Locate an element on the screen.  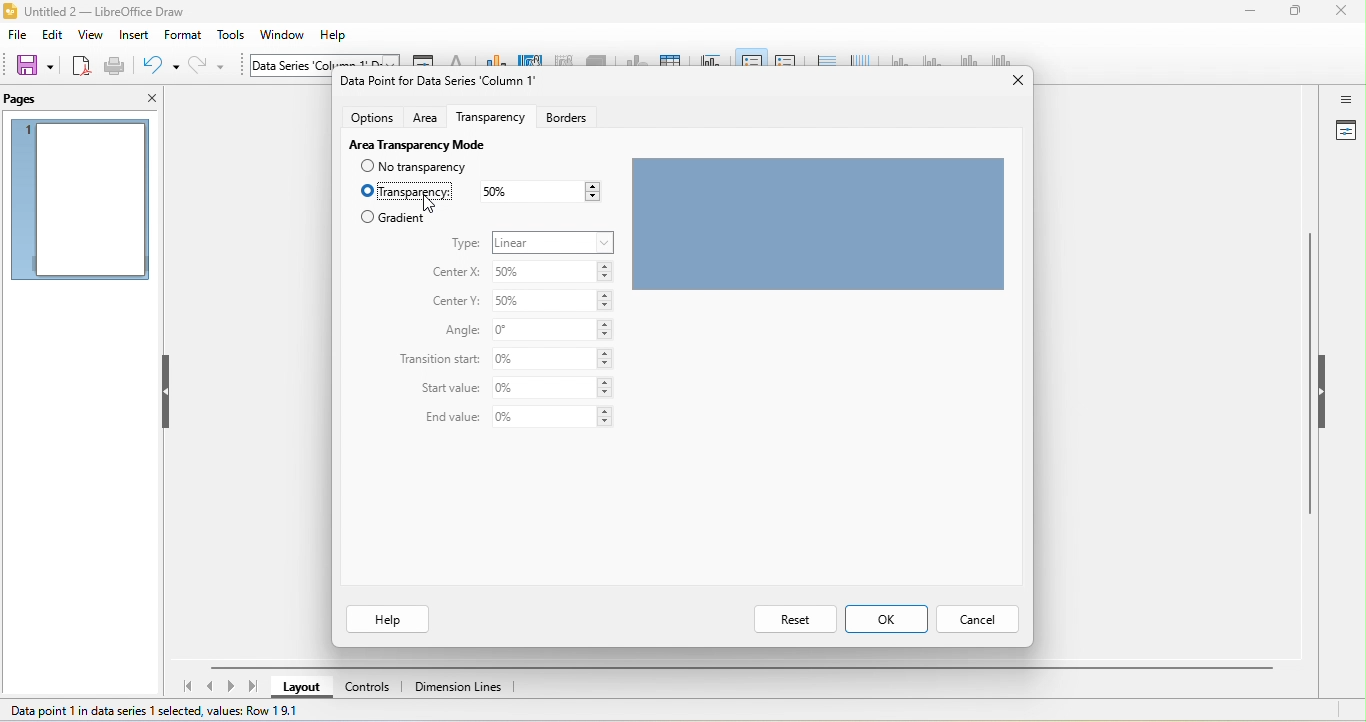
checkbox is located at coordinates (366, 168).